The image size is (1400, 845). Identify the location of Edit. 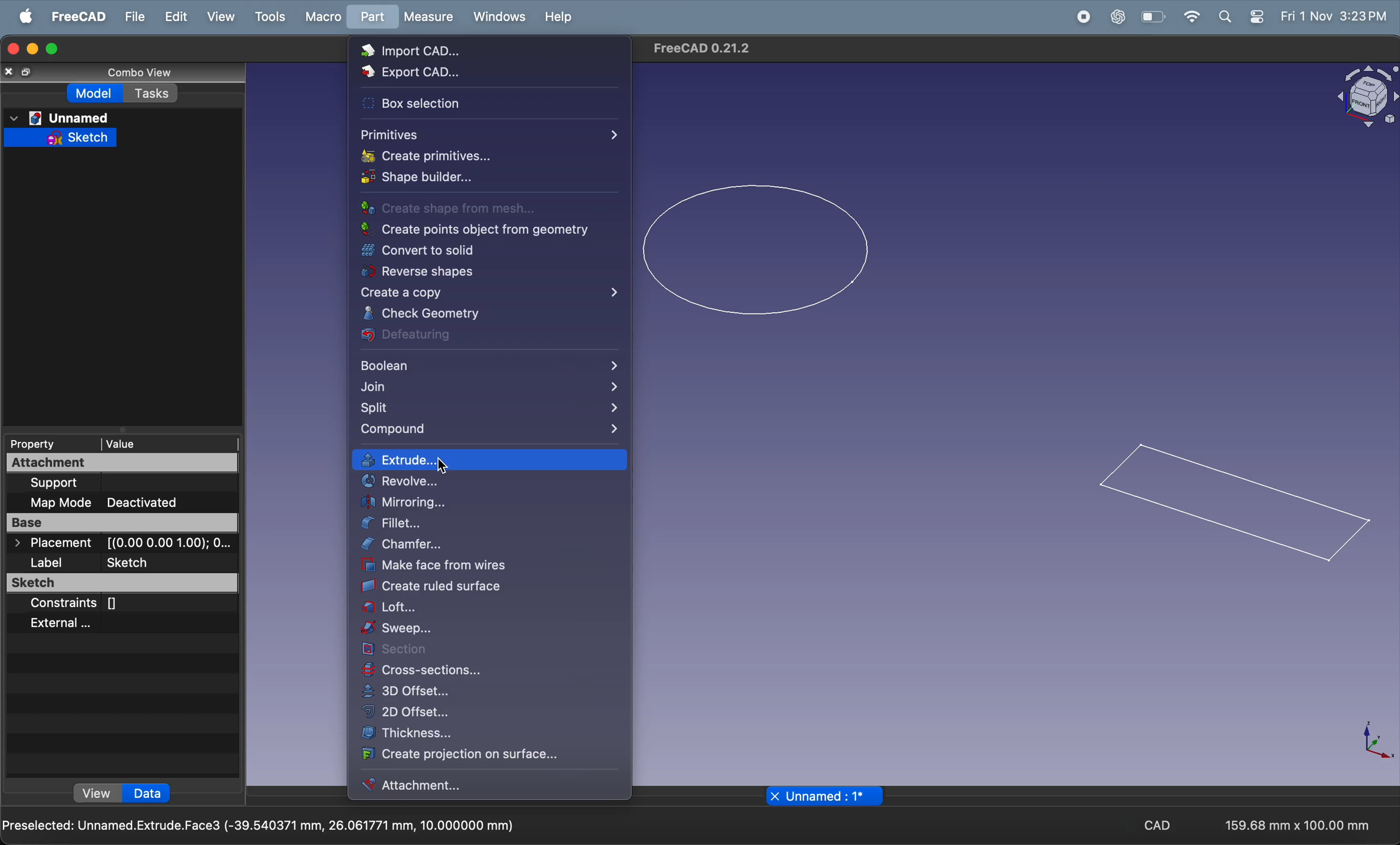
(176, 16).